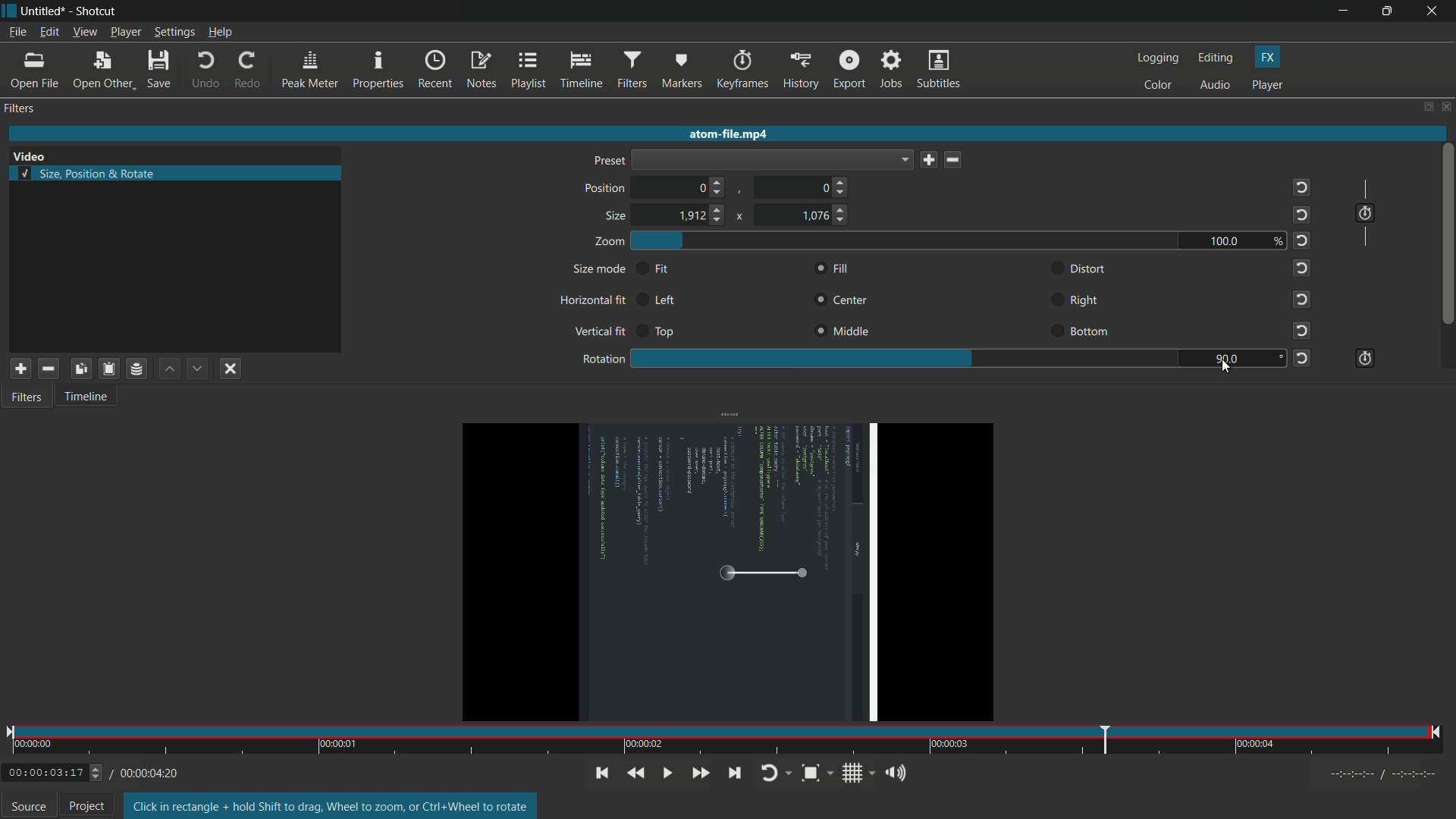 The height and width of the screenshot is (819, 1456). I want to click on notes, so click(480, 71).